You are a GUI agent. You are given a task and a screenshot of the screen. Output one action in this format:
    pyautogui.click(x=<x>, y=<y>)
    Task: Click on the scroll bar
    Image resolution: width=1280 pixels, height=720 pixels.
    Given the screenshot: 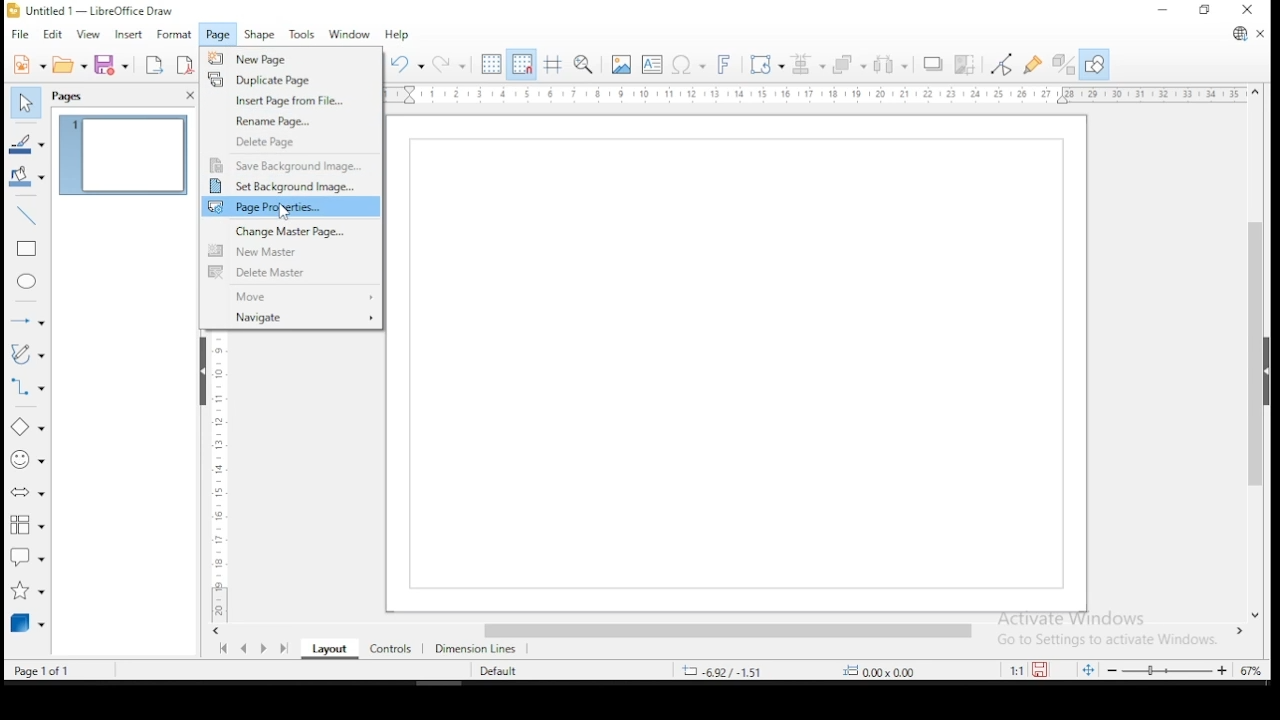 What is the action you would take?
    pyautogui.click(x=1256, y=353)
    